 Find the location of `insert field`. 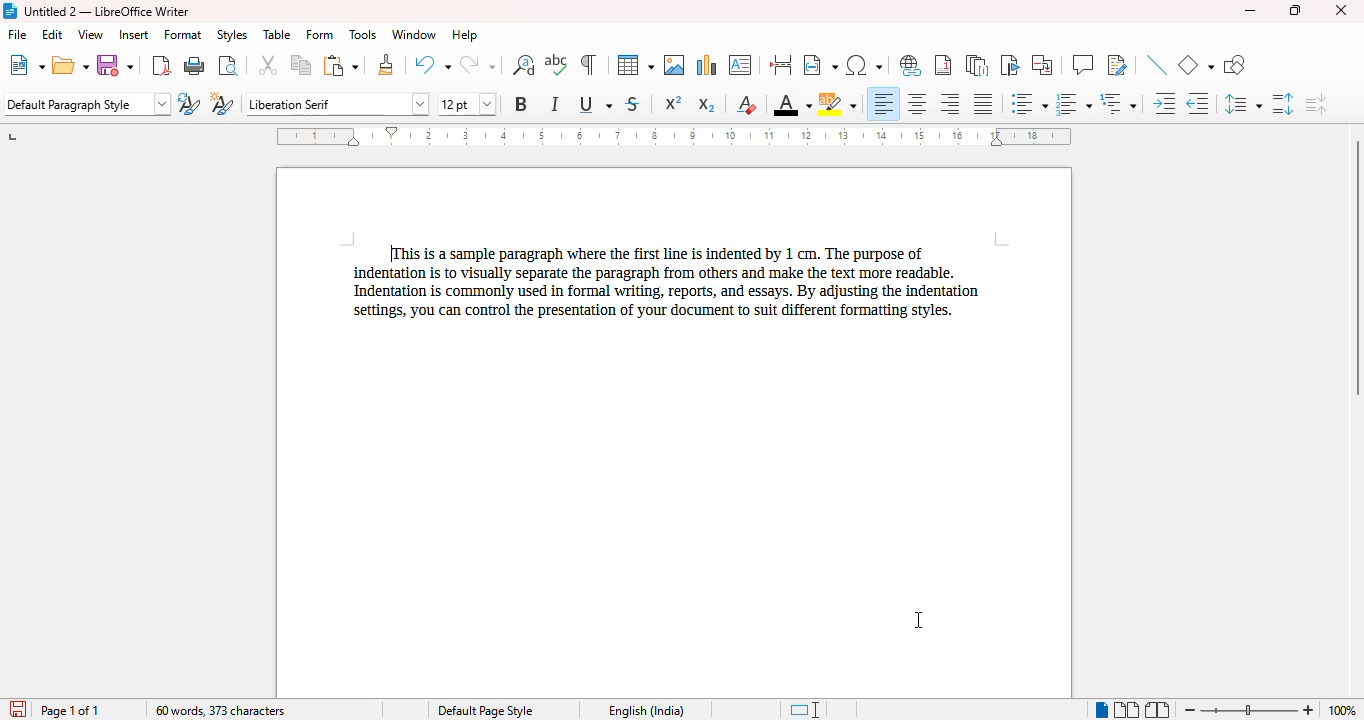

insert field is located at coordinates (819, 65).